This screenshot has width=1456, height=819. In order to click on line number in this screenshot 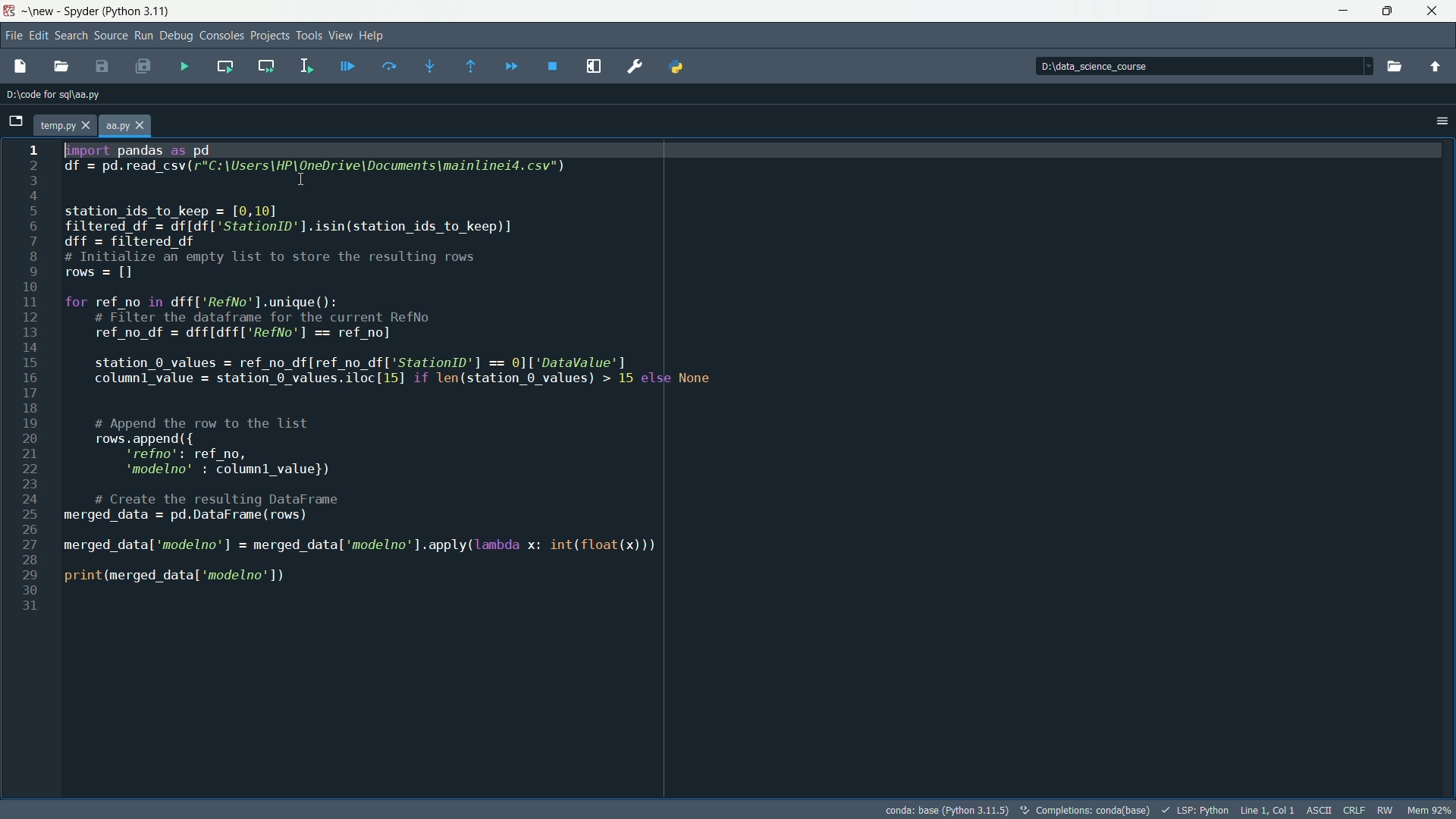, I will do `click(30, 384)`.